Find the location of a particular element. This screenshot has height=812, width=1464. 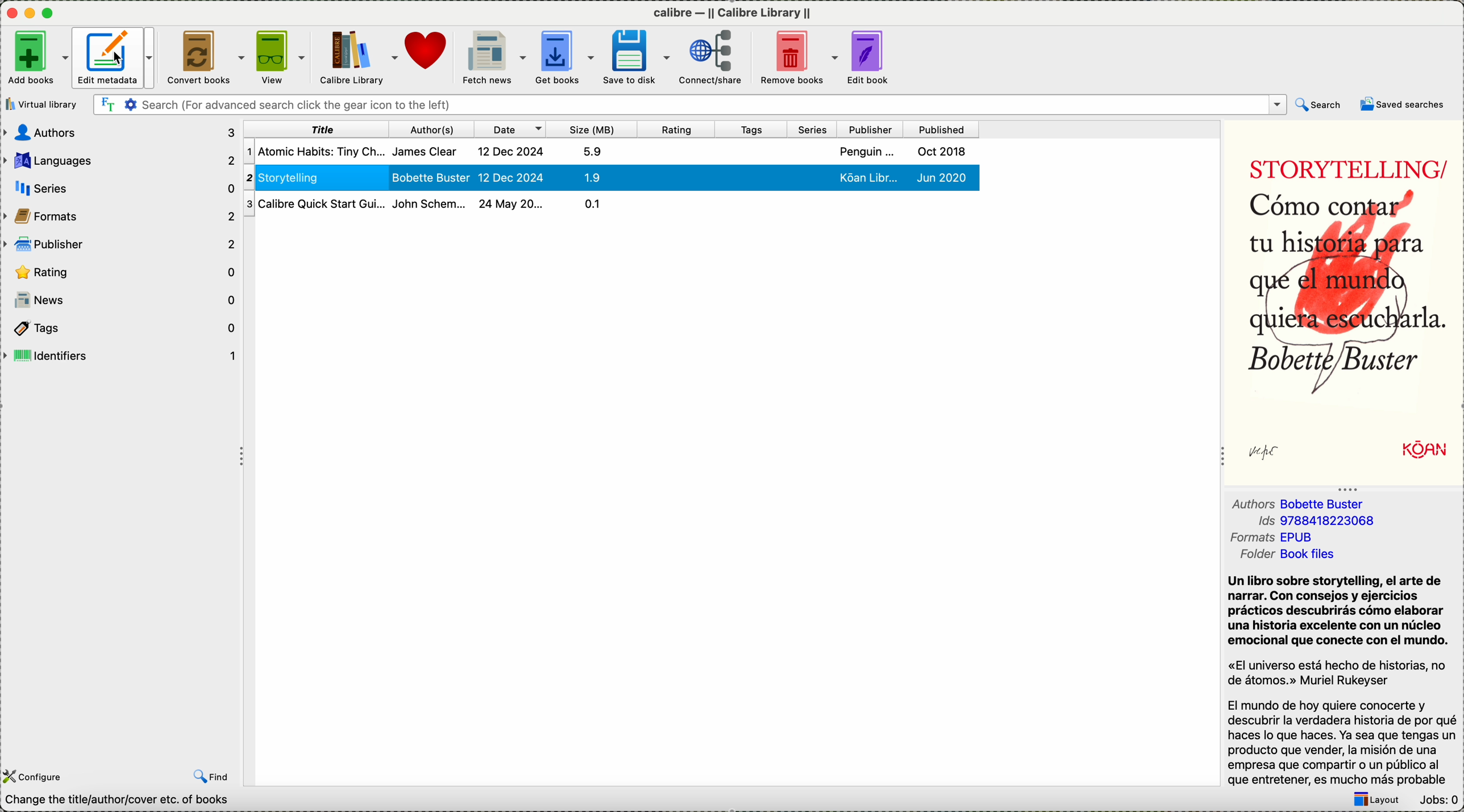

get books is located at coordinates (566, 56).